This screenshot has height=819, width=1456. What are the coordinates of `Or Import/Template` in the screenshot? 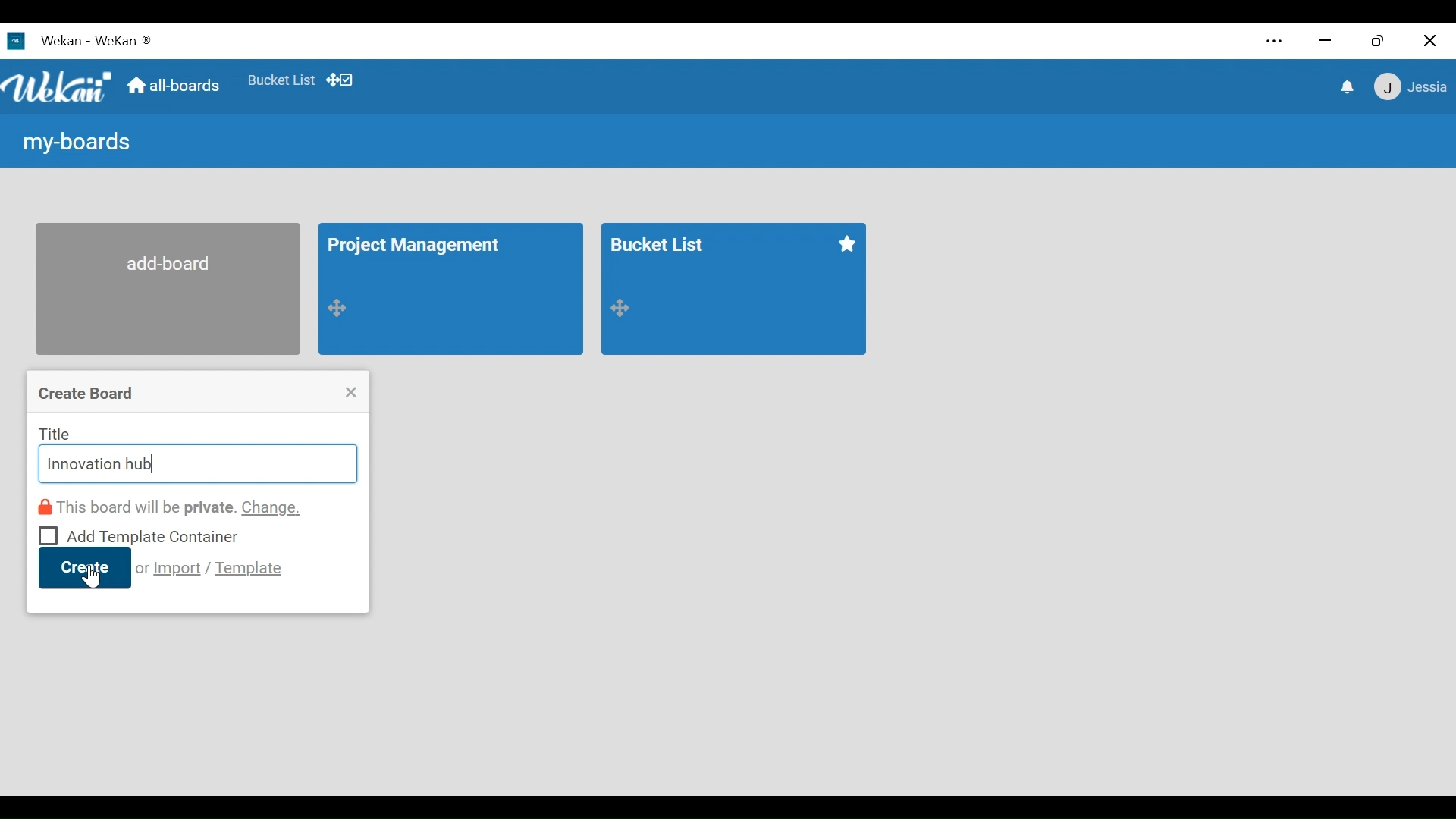 It's located at (210, 568).